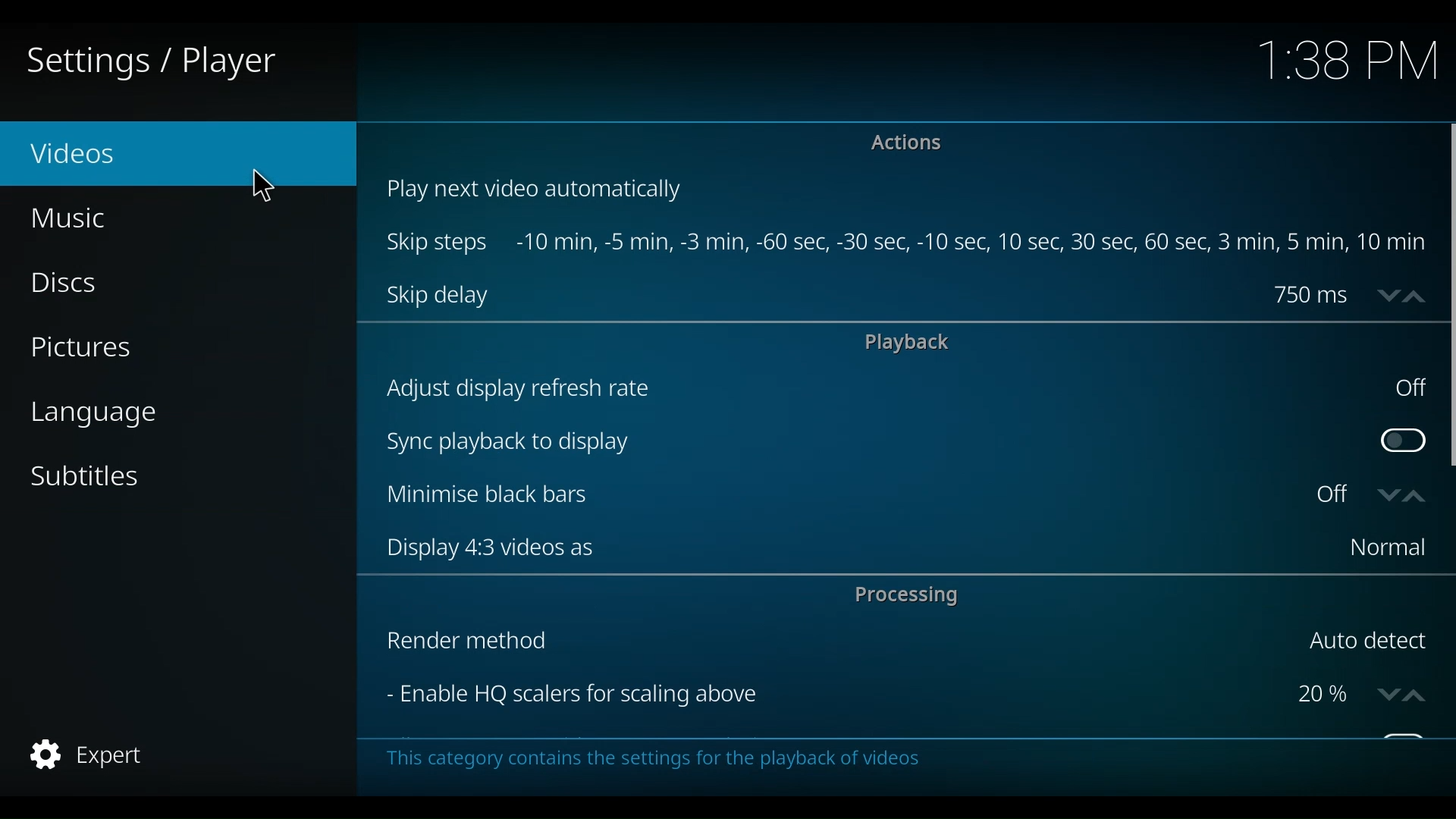 Image resolution: width=1456 pixels, height=819 pixels. I want to click on up, so click(1413, 494).